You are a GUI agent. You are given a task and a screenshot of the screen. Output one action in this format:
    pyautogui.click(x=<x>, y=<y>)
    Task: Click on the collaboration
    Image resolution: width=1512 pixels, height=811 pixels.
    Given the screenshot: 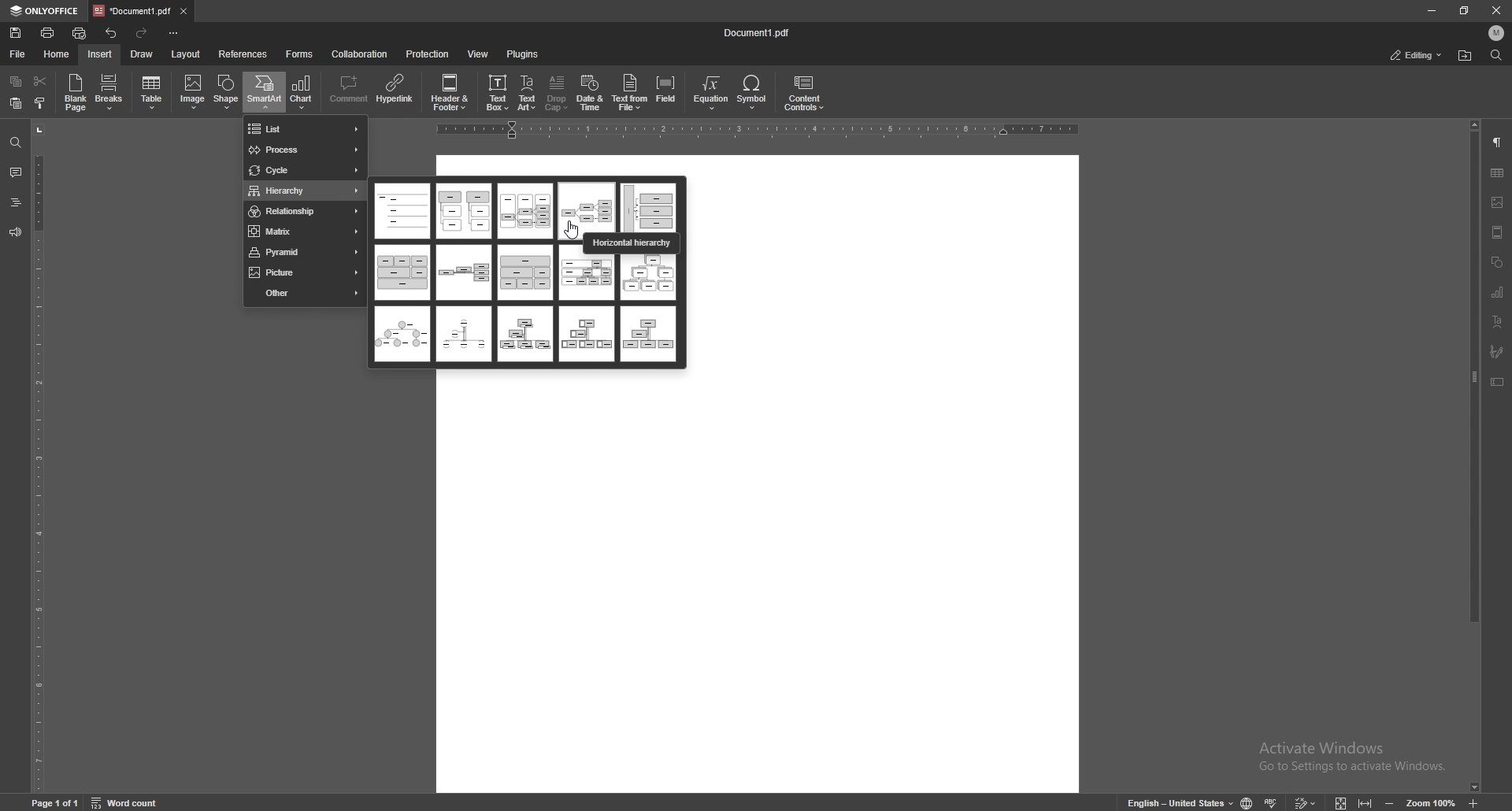 What is the action you would take?
    pyautogui.click(x=360, y=54)
    